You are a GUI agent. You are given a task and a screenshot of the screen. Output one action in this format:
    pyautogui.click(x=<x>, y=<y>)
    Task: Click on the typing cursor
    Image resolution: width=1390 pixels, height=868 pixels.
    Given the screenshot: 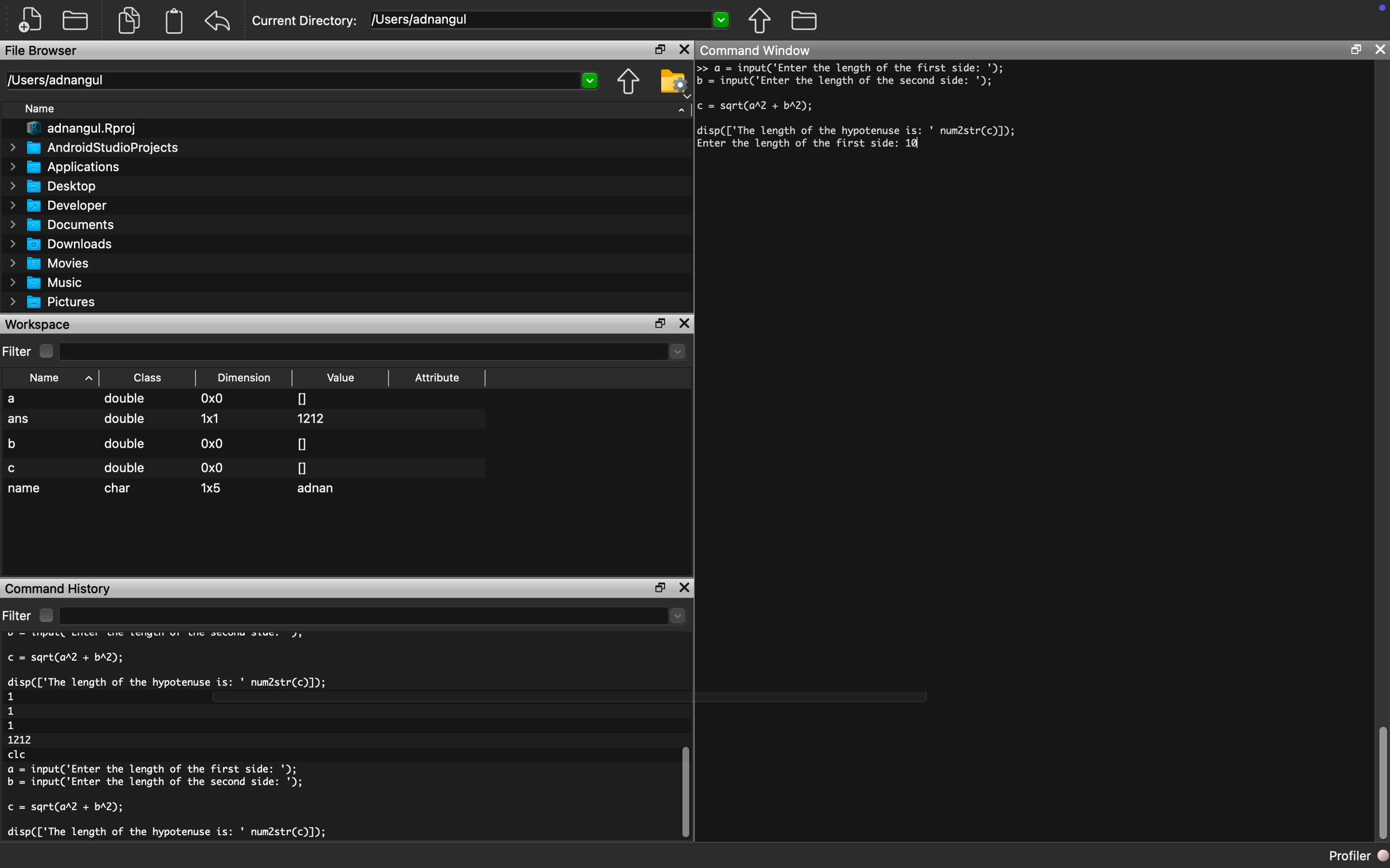 What is the action you would take?
    pyautogui.click(x=921, y=148)
    